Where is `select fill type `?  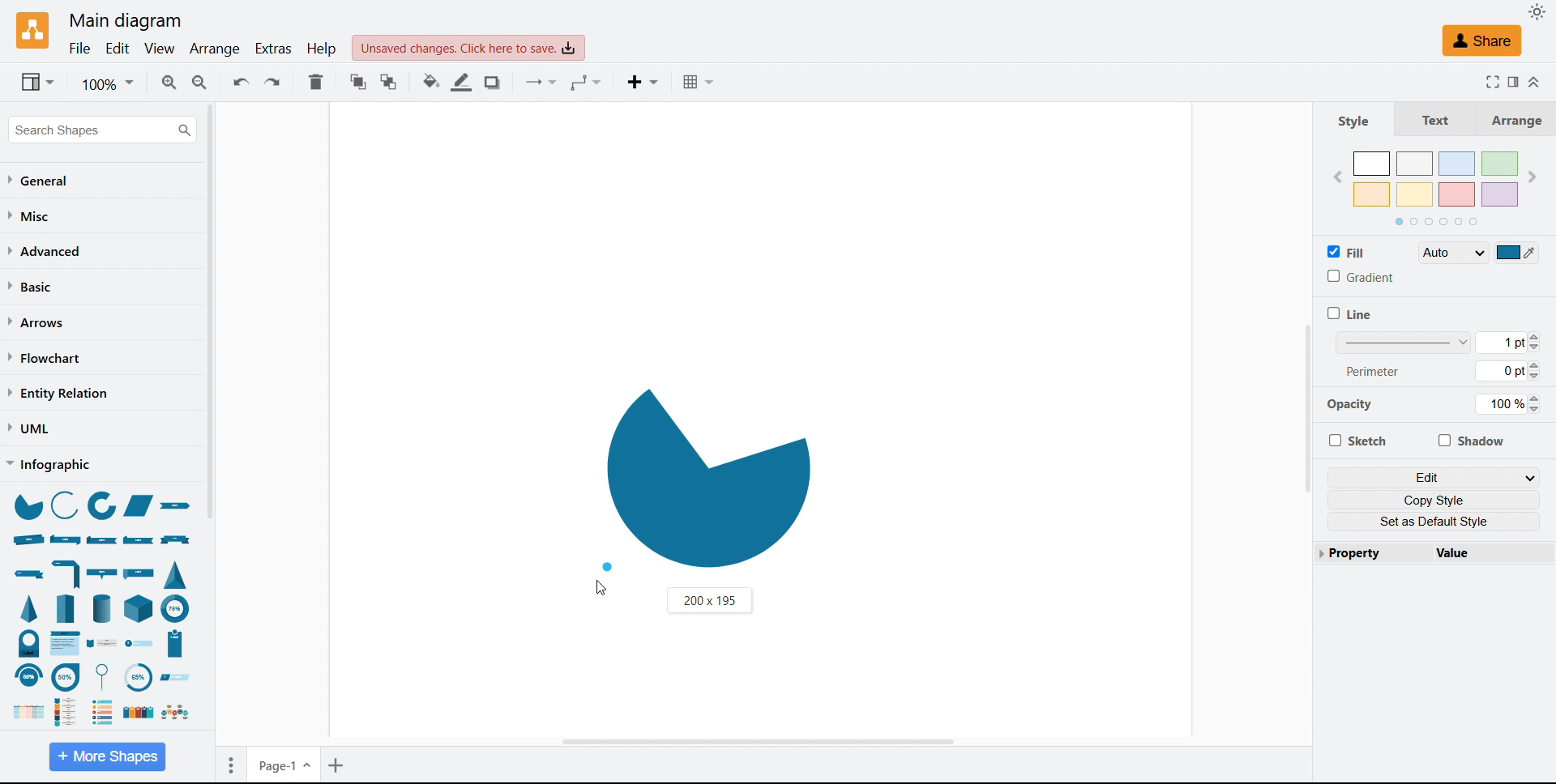
select fill type  is located at coordinates (1453, 252).